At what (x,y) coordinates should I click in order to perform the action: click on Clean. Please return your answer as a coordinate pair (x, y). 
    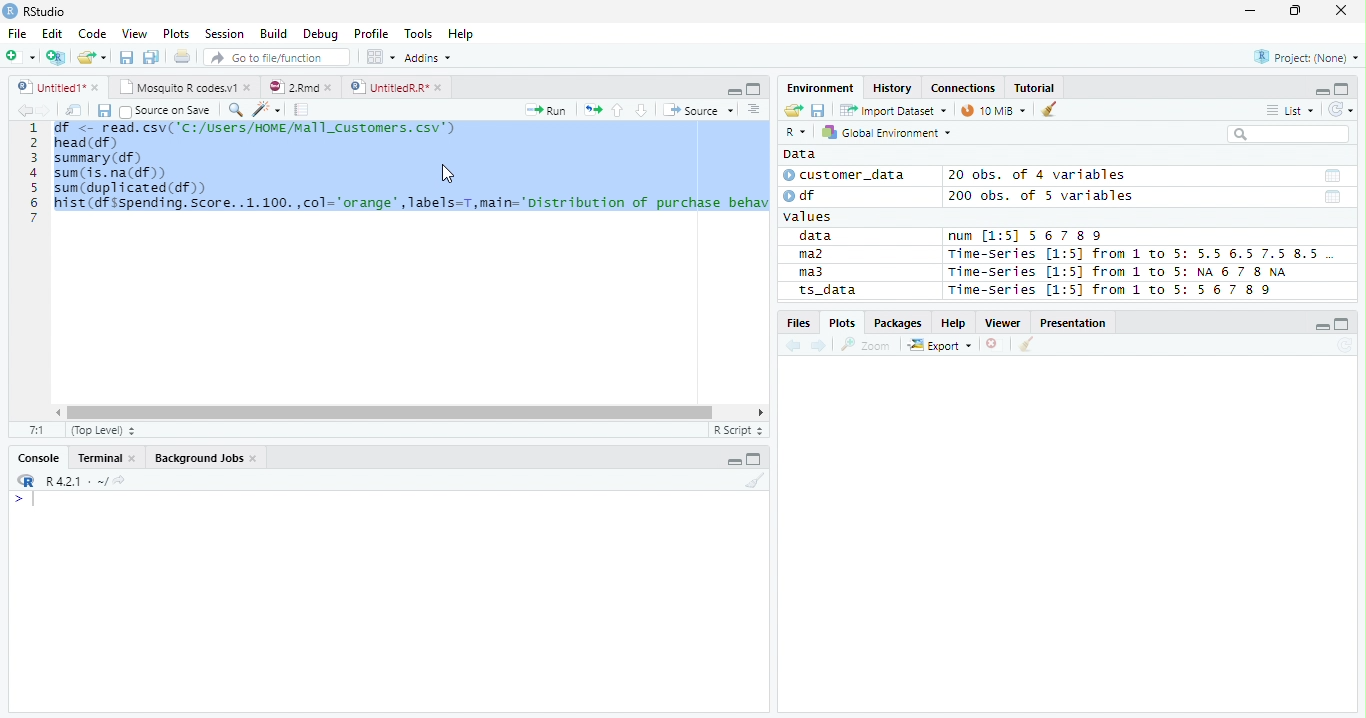
    Looking at the image, I should click on (1051, 108).